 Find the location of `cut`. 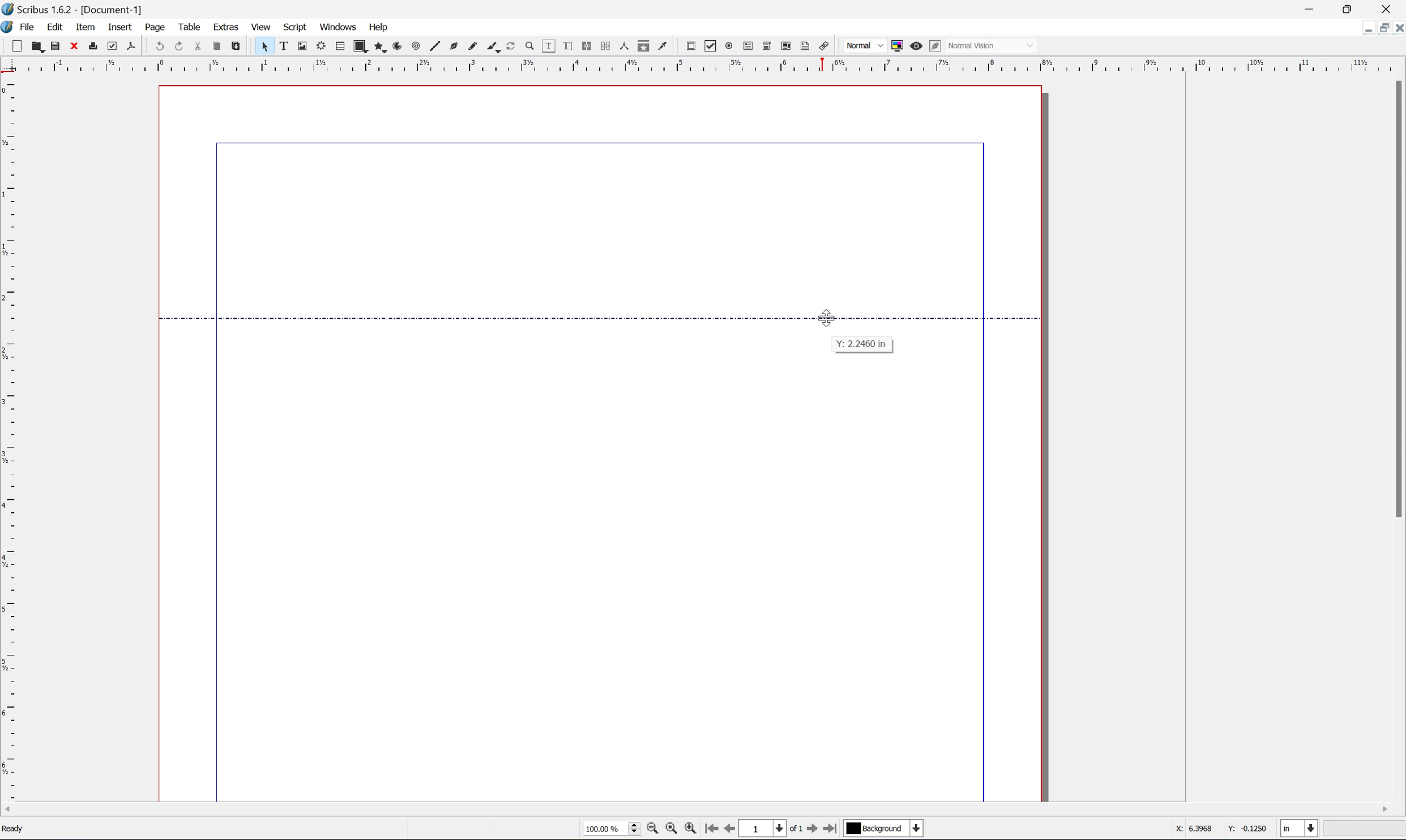

cut is located at coordinates (203, 44).